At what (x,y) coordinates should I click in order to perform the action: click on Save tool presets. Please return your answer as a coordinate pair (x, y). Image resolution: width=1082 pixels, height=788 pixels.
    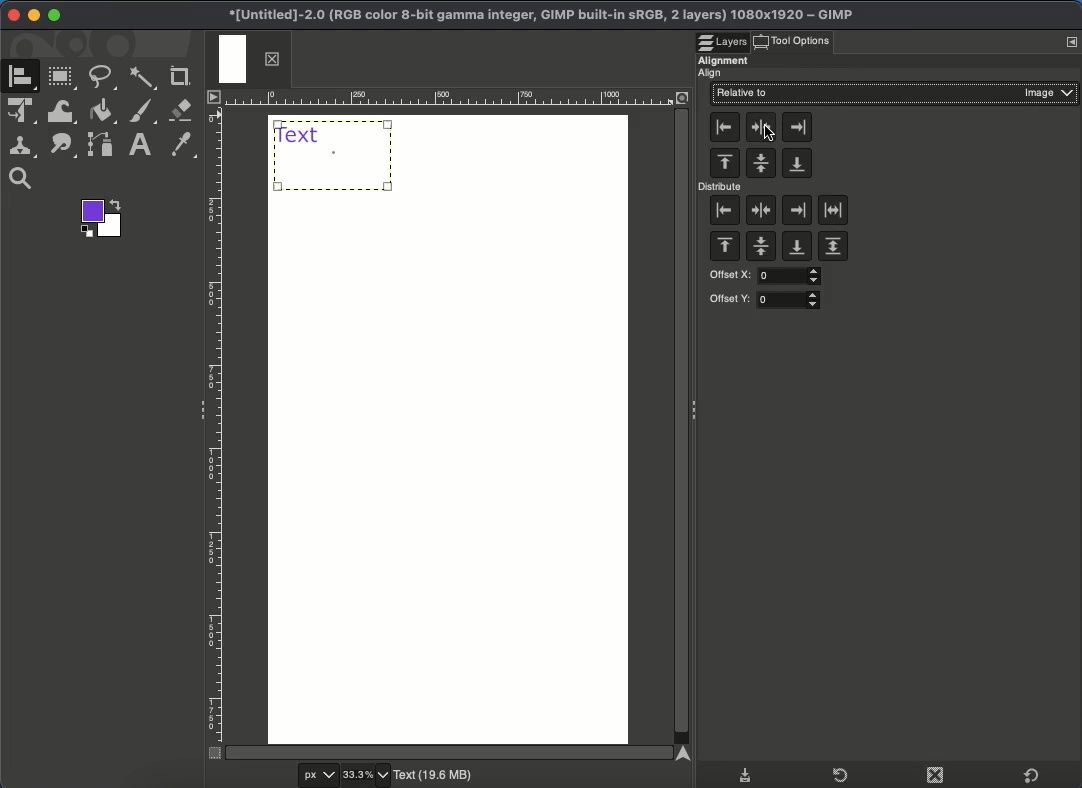
    Looking at the image, I should click on (747, 773).